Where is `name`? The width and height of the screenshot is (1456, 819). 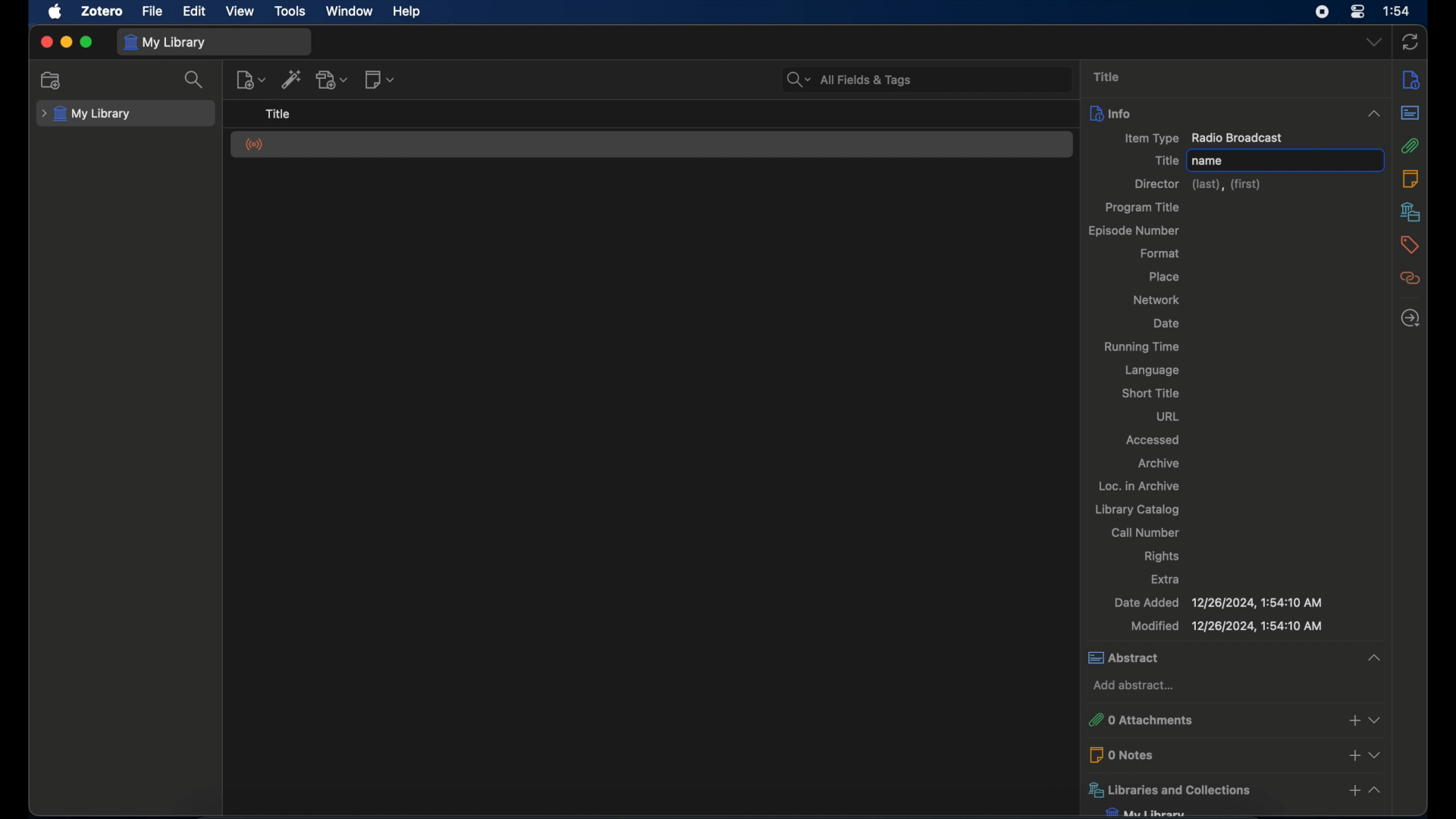
name is located at coordinates (1283, 159).